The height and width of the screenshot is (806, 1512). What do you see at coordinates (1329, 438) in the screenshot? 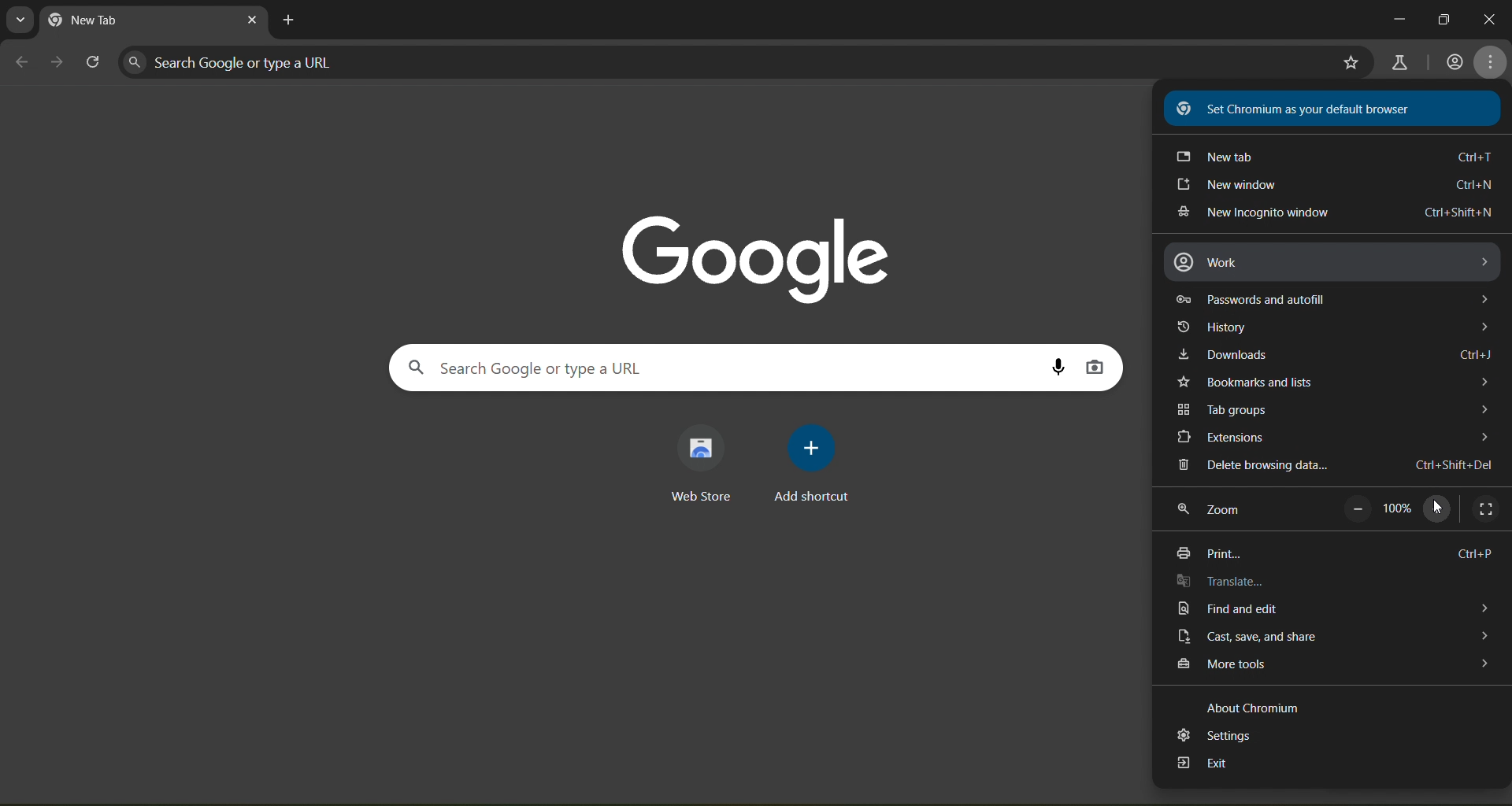
I see `extensions` at bounding box center [1329, 438].